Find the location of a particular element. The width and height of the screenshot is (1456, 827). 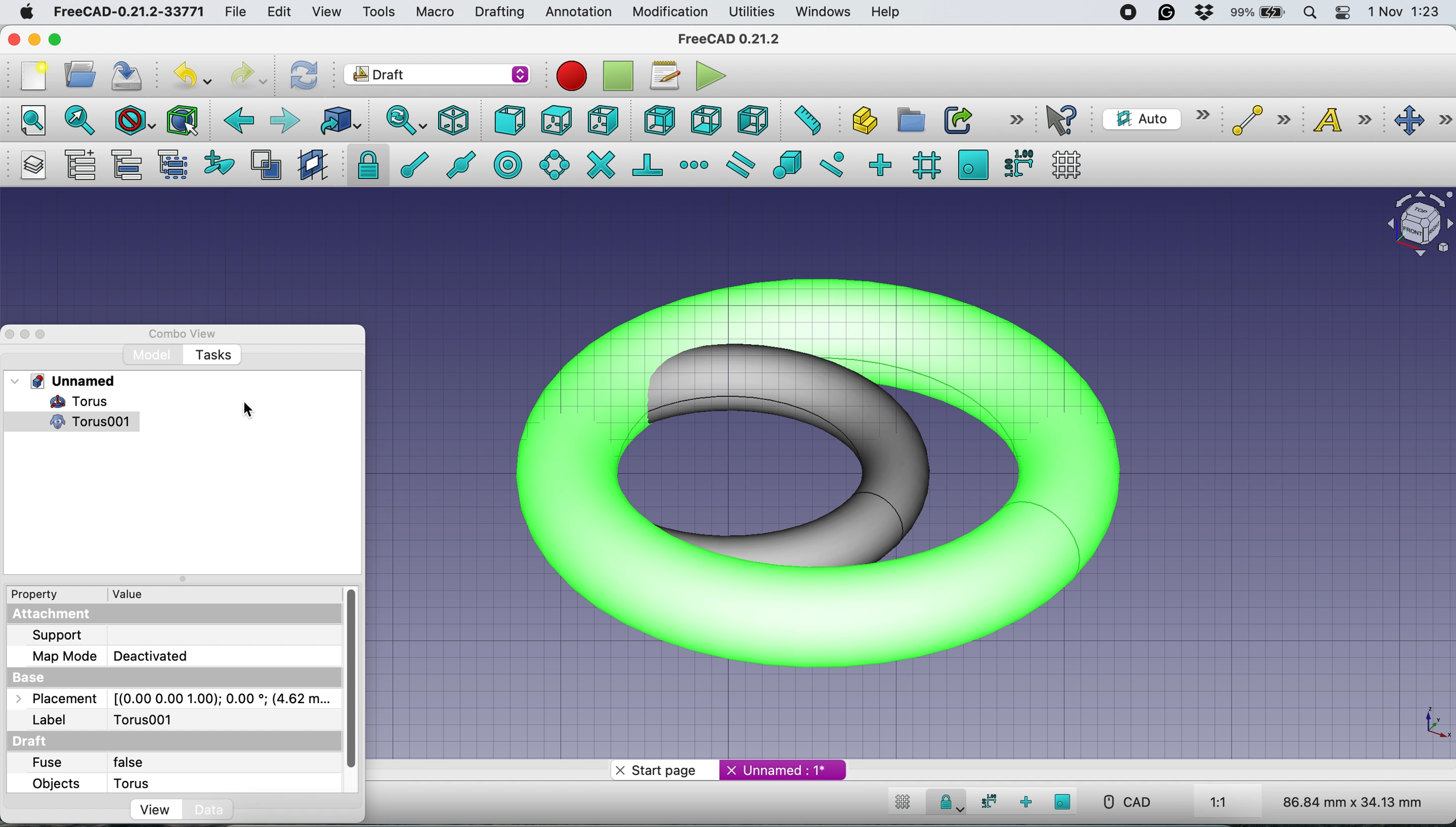

file is located at coordinates (240, 12).